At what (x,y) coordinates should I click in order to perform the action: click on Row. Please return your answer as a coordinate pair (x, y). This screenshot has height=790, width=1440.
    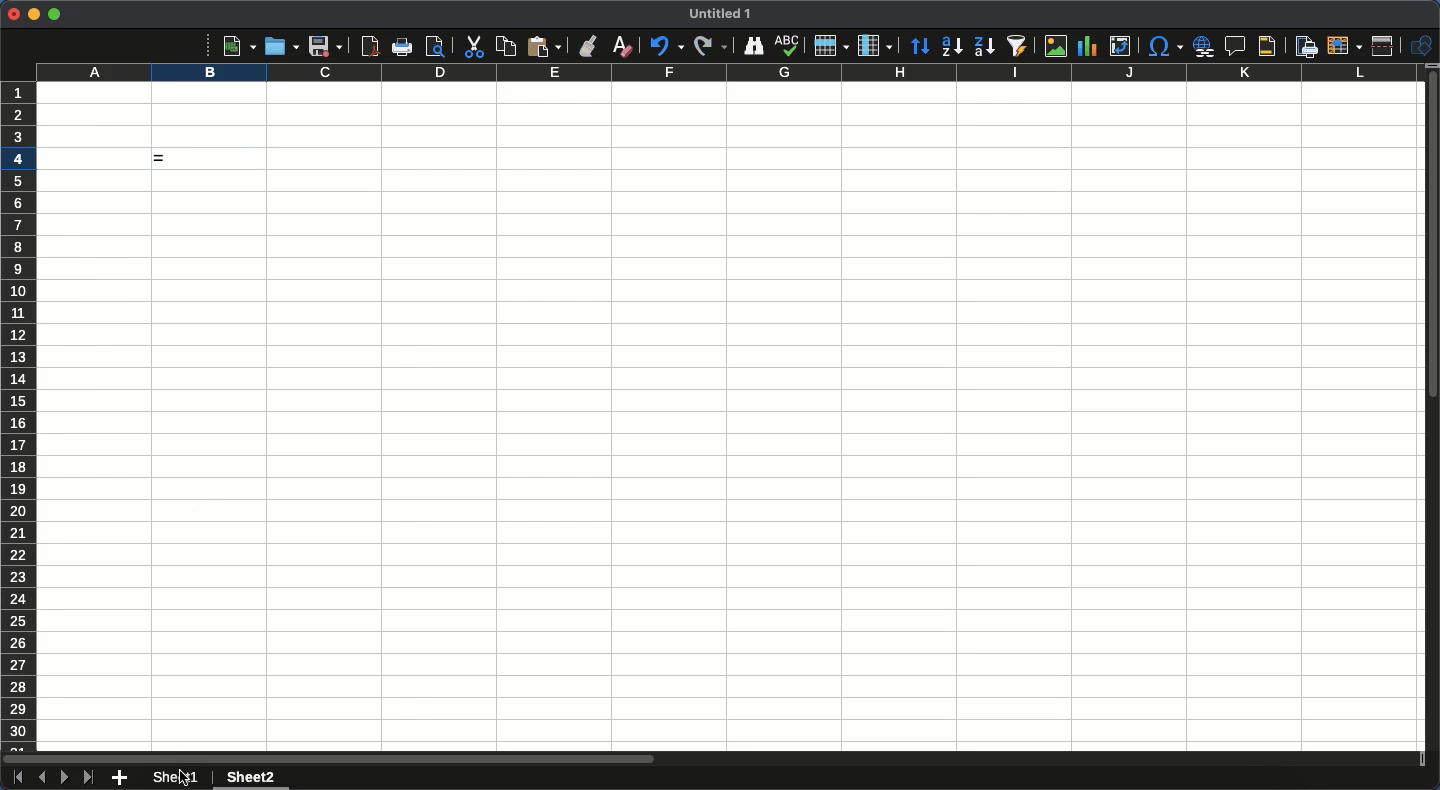
    Looking at the image, I should click on (832, 45).